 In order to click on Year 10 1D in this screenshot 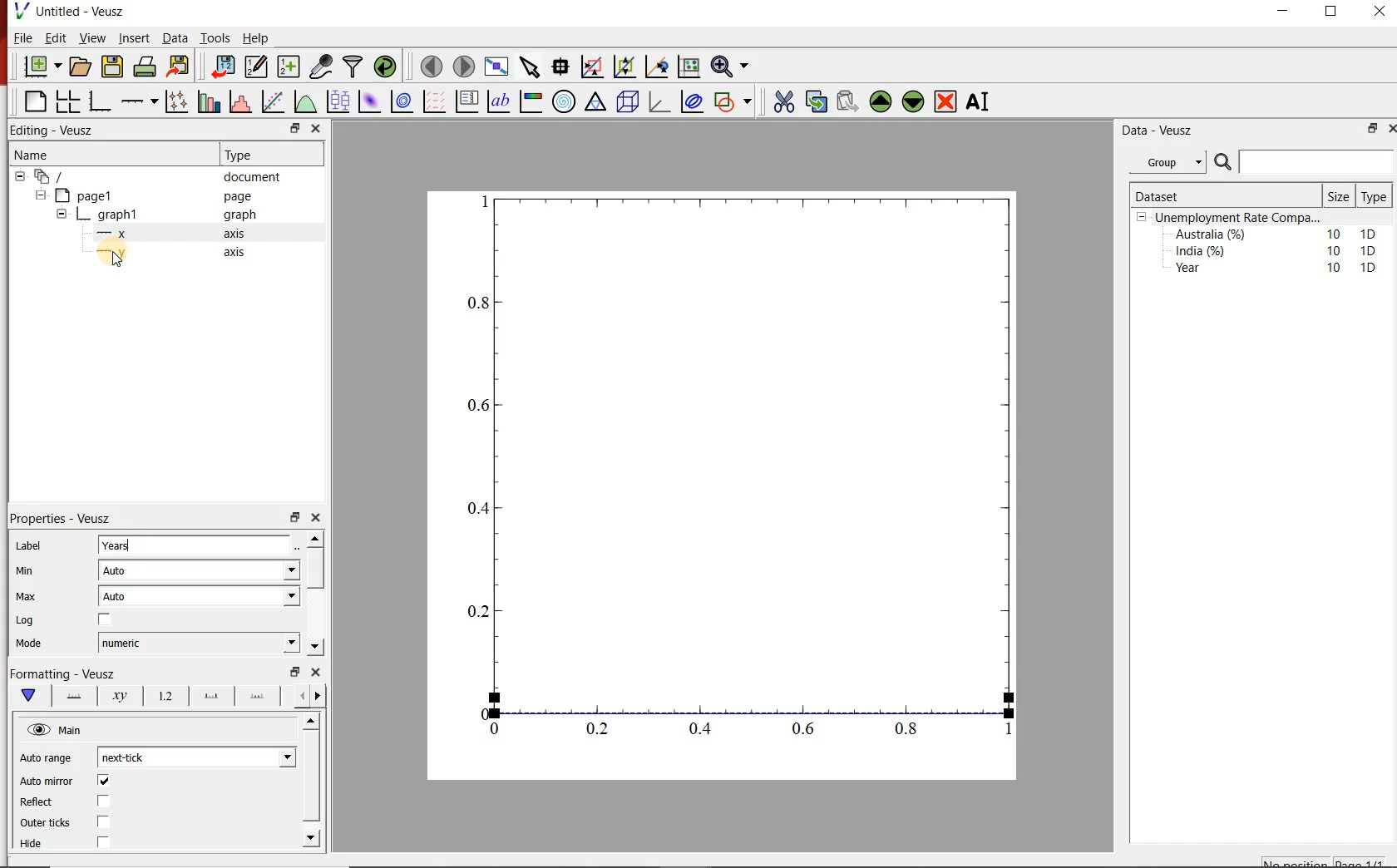, I will do `click(1281, 269)`.